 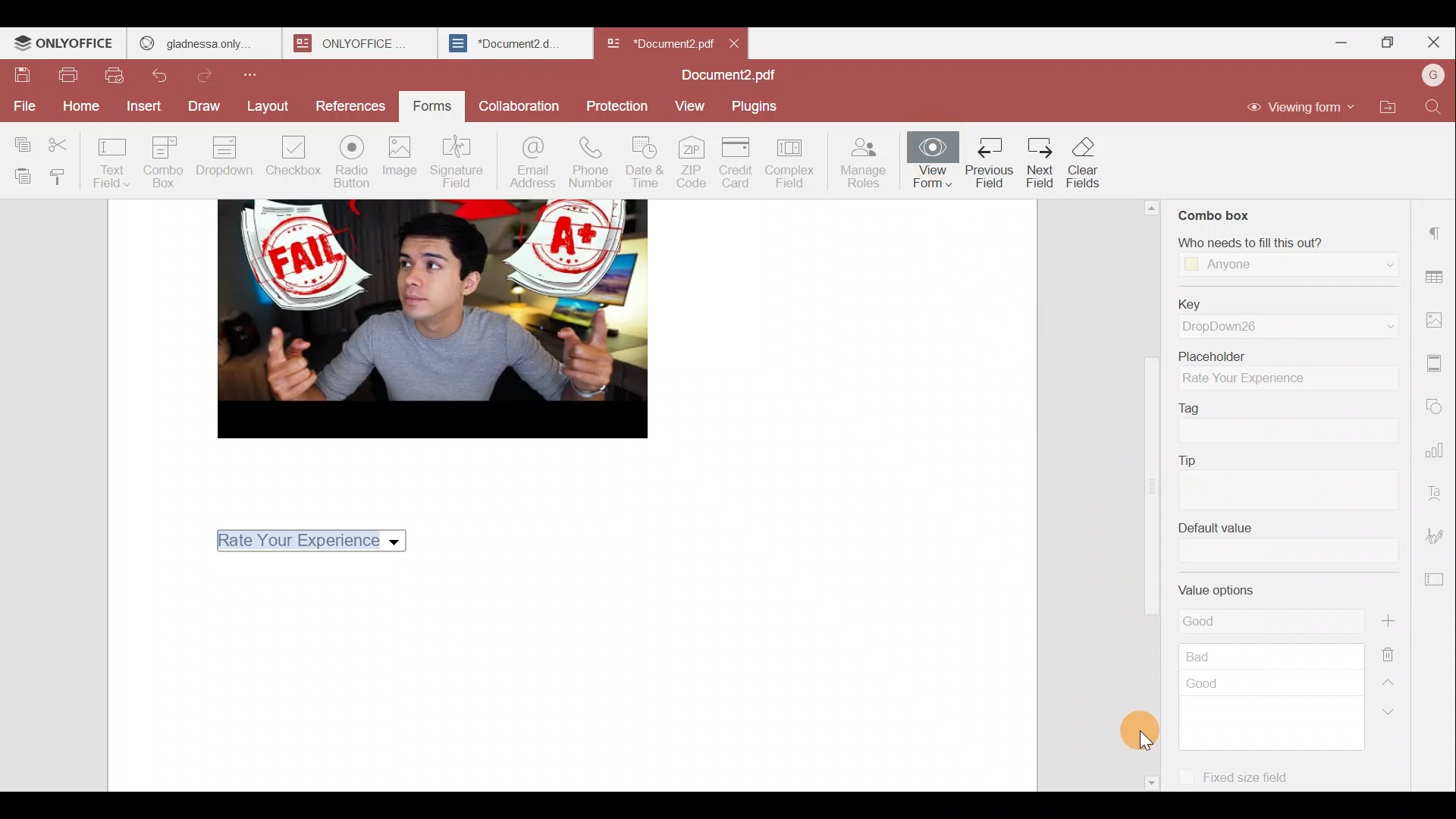 What do you see at coordinates (1280, 256) in the screenshot?
I see `‘Who needs to fill this out?` at bounding box center [1280, 256].